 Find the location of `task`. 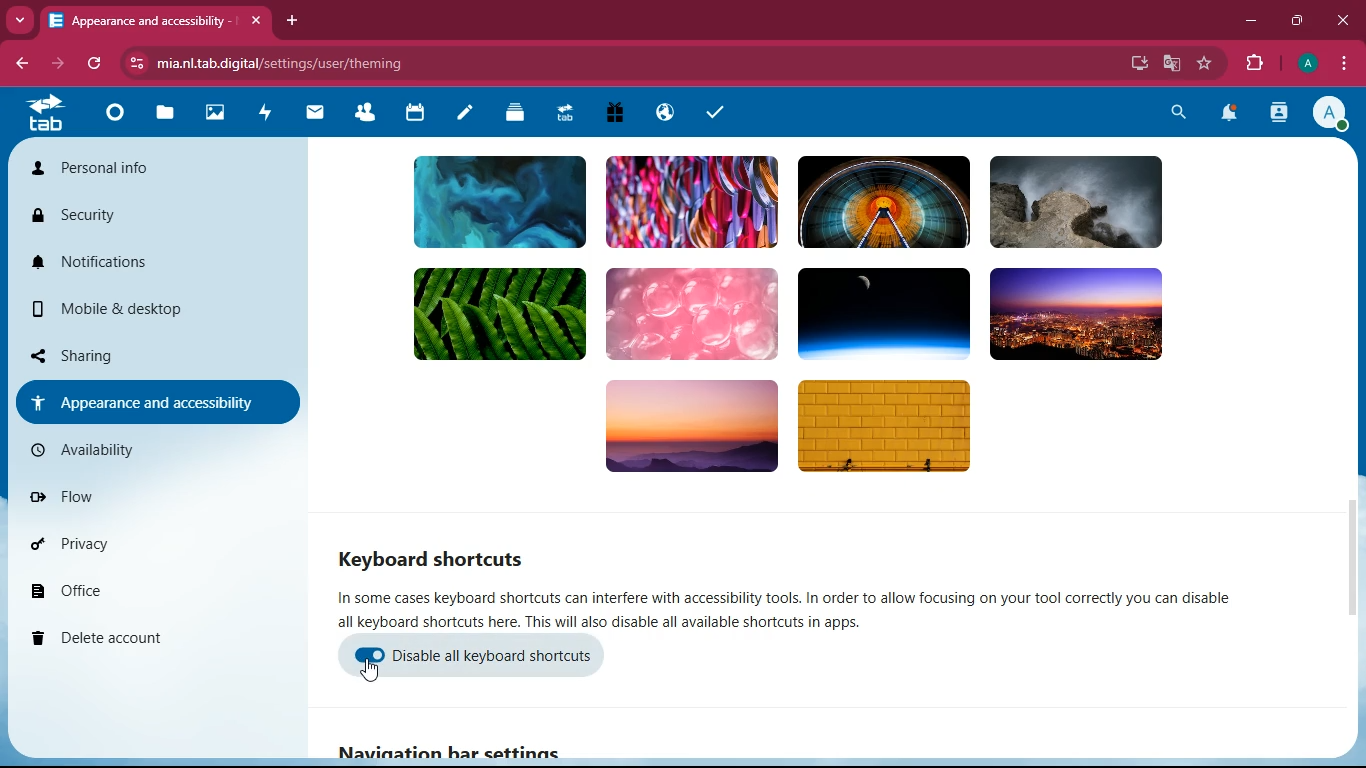

task is located at coordinates (719, 115).